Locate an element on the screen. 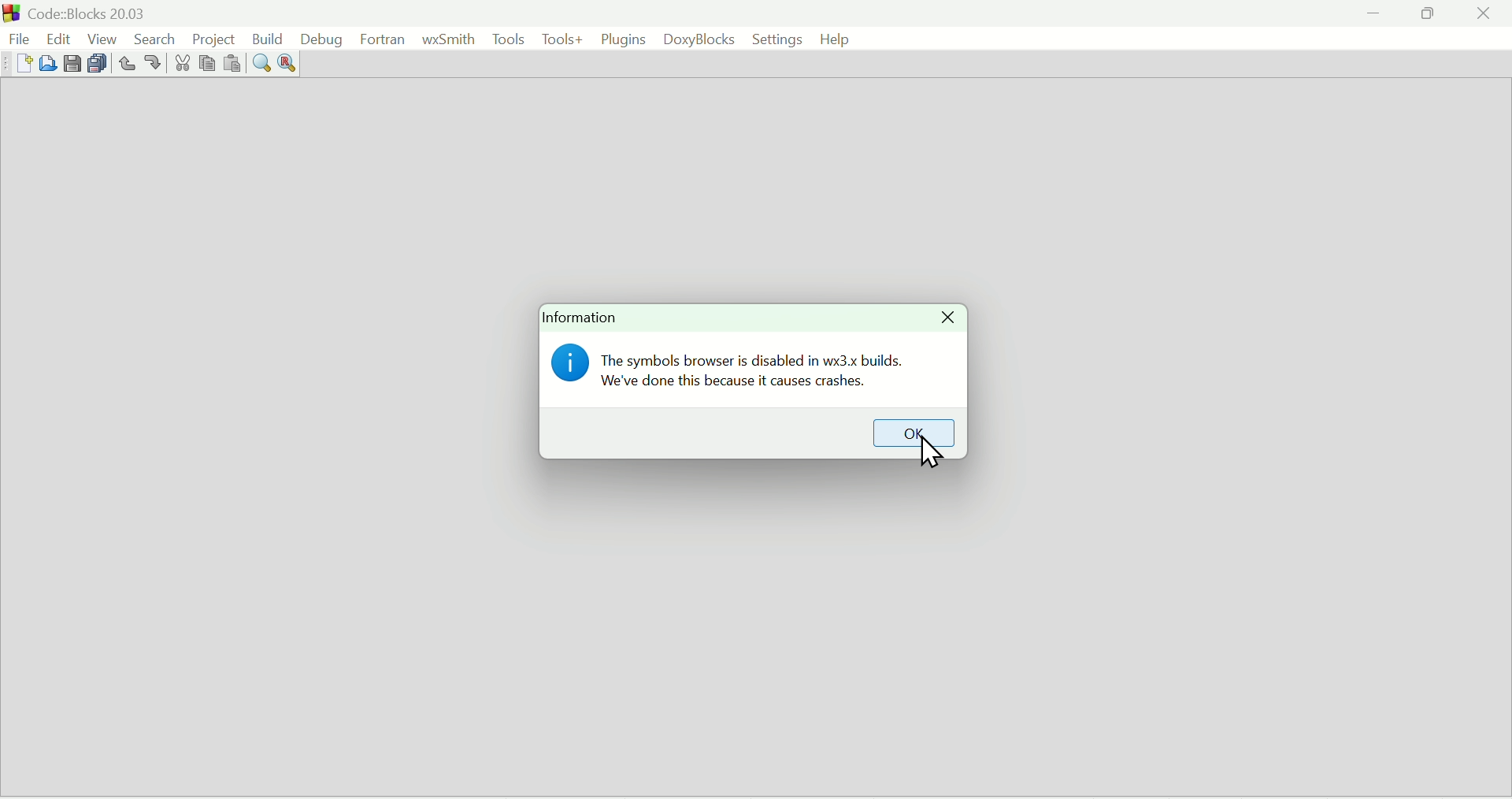 The width and height of the screenshot is (1512, 799). OK is located at coordinates (913, 433).